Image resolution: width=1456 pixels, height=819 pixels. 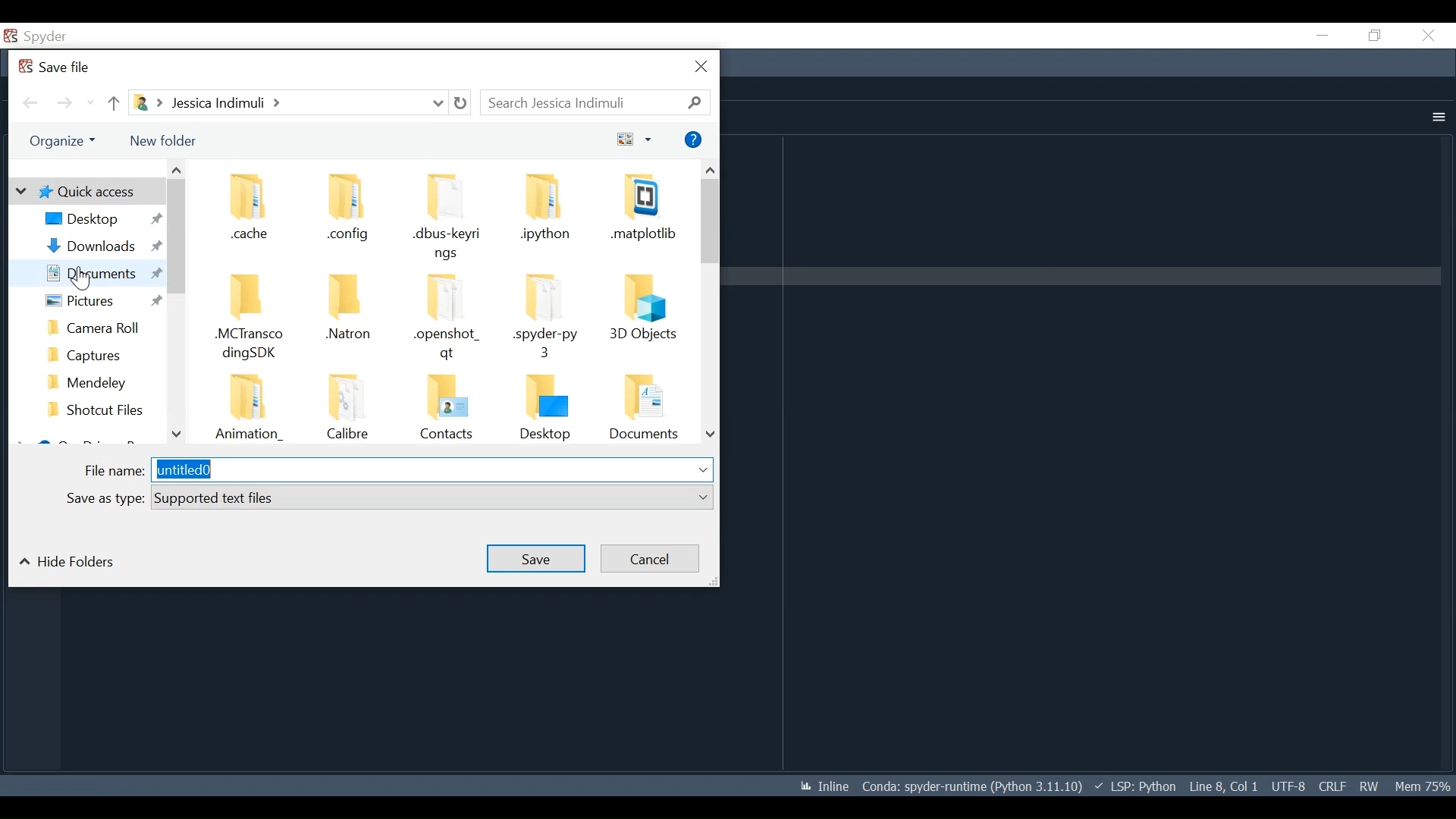 What do you see at coordinates (1428, 35) in the screenshot?
I see `Close` at bounding box center [1428, 35].